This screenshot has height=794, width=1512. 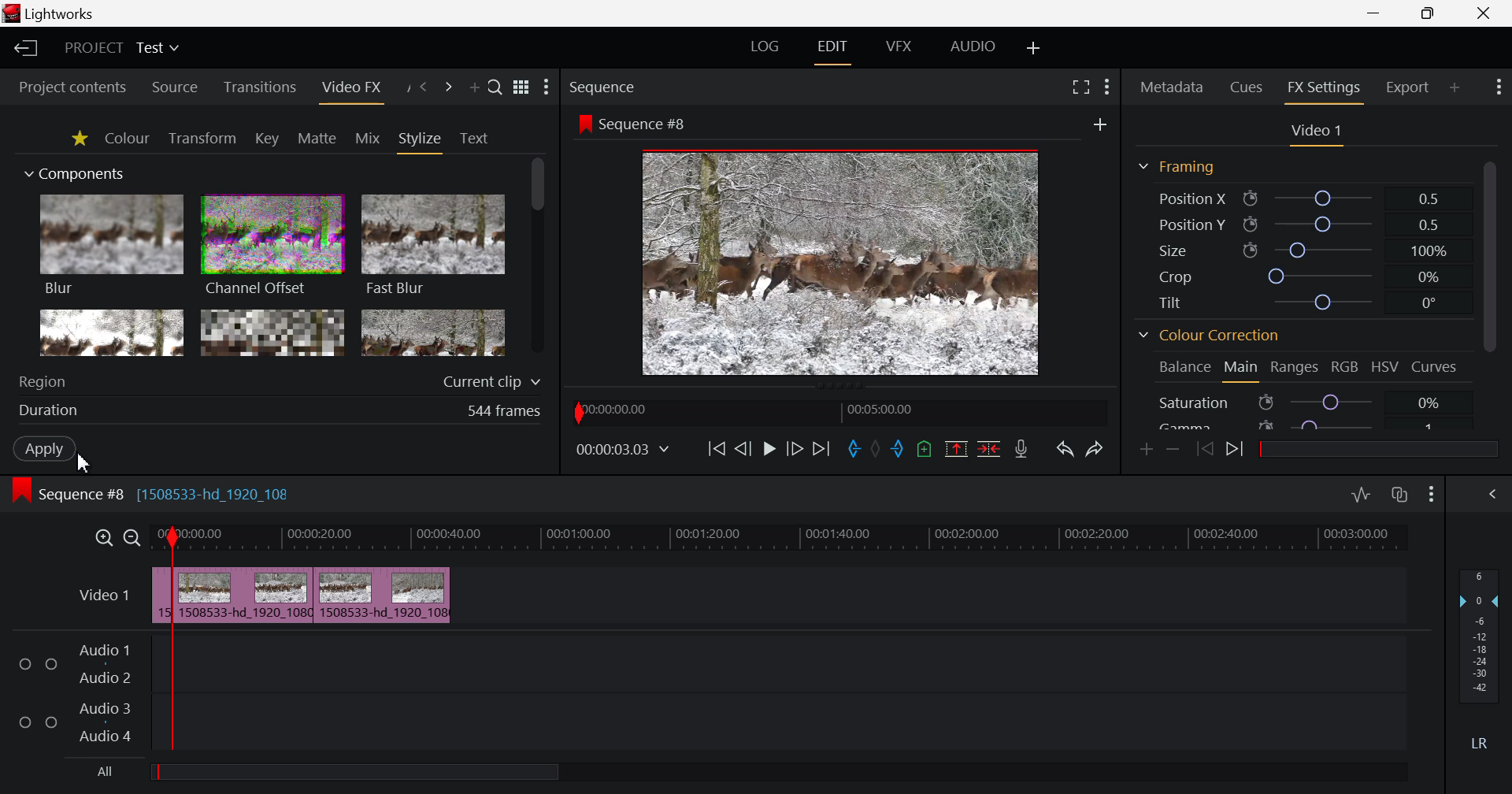 What do you see at coordinates (859, 260) in the screenshot?
I see `Preview at Stop` at bounding box center [859, 260].